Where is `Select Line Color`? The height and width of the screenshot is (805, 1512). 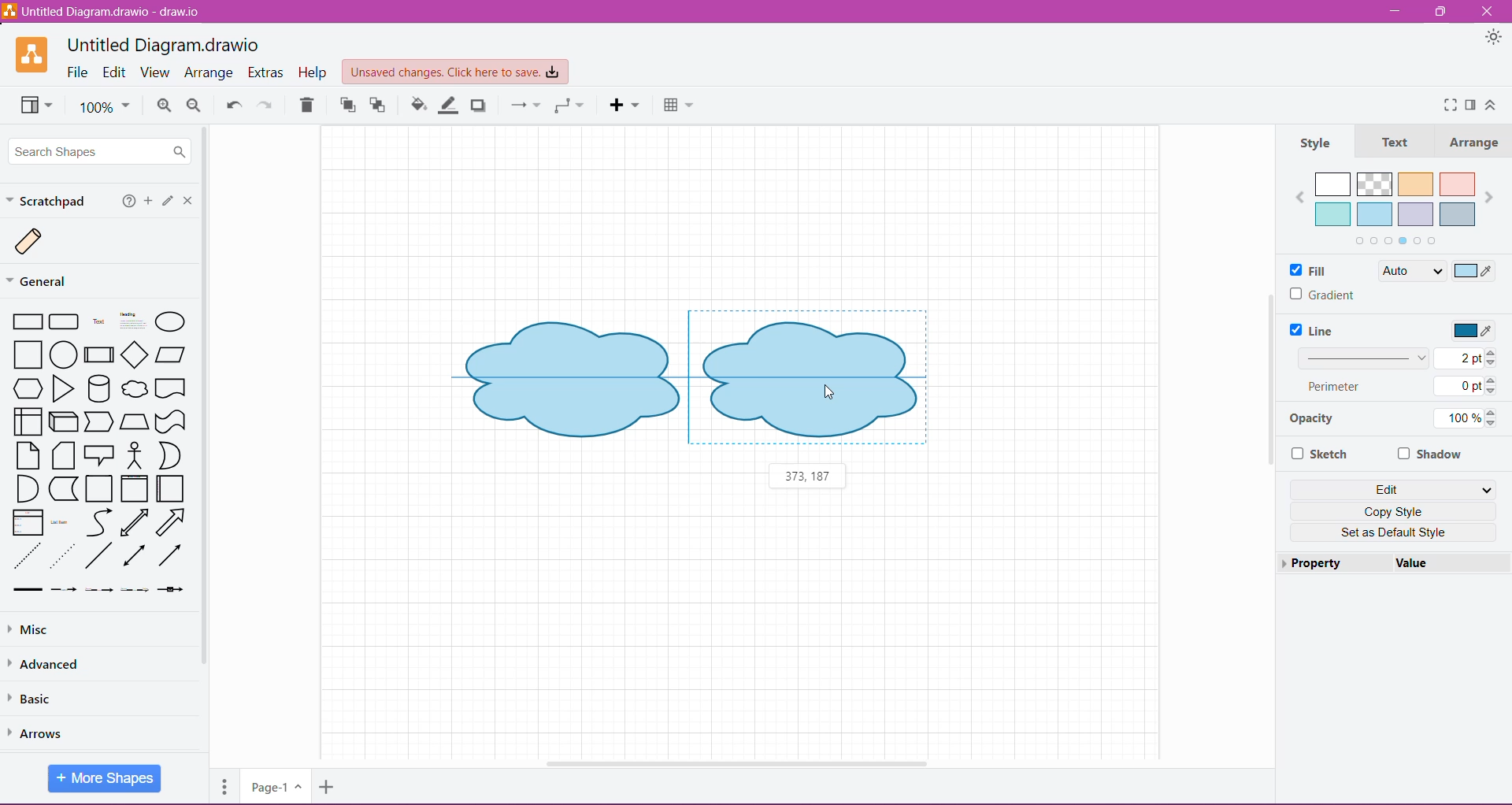 Select Line Color is located at coordinates (1475, 332).